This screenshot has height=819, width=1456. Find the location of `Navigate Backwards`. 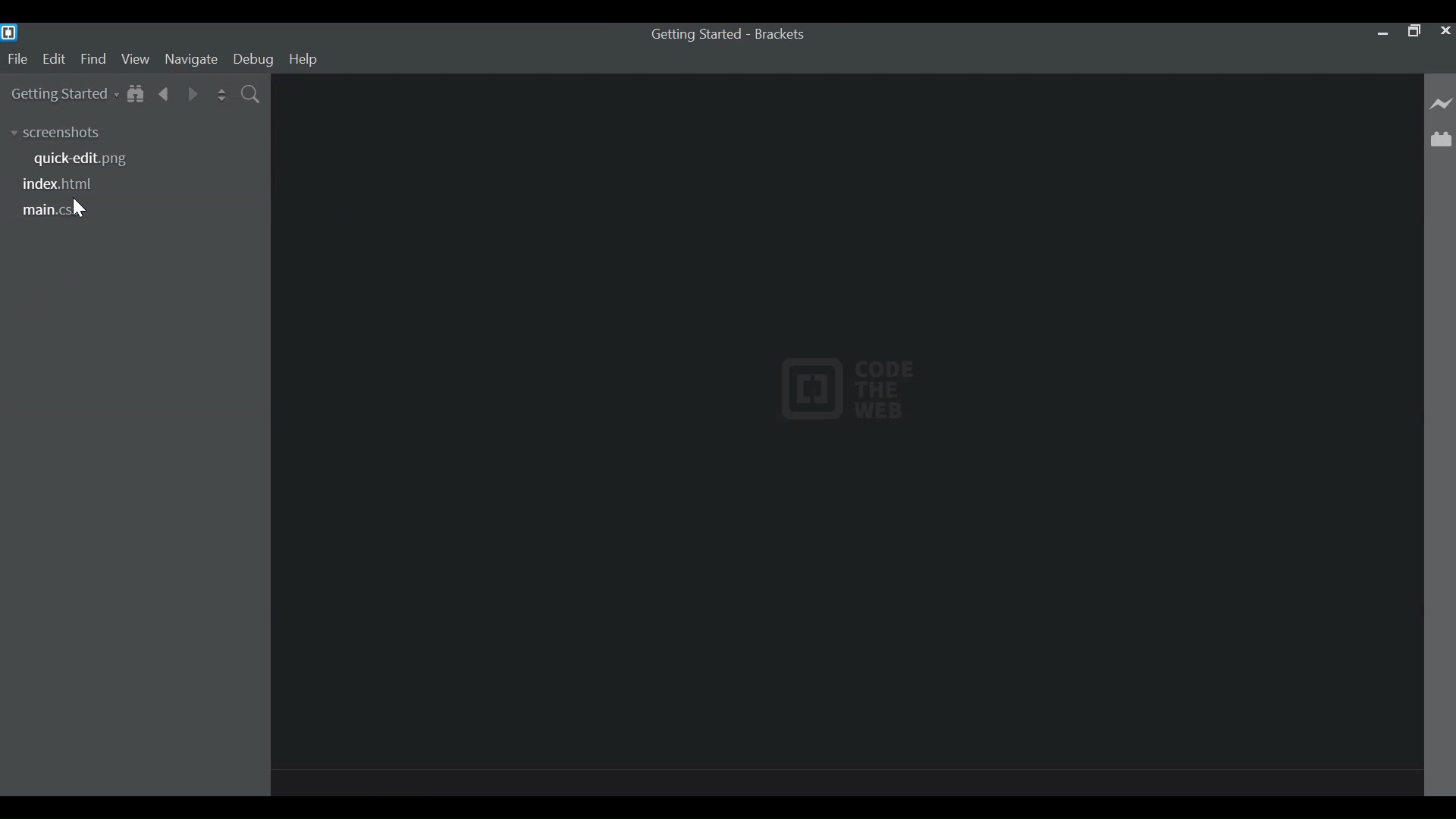

Navigate Backwards is located at coordinates (165, 93).